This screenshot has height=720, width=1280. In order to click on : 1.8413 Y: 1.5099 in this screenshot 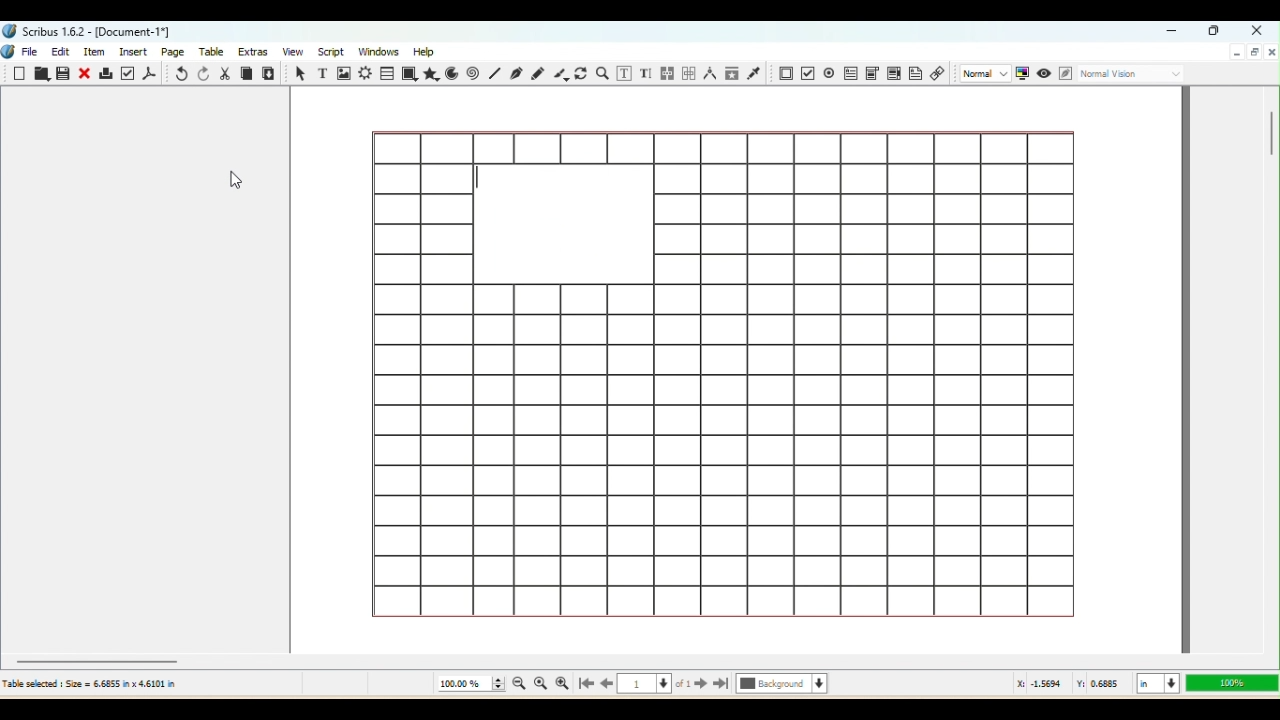, I will do `click(1070, 685)`.